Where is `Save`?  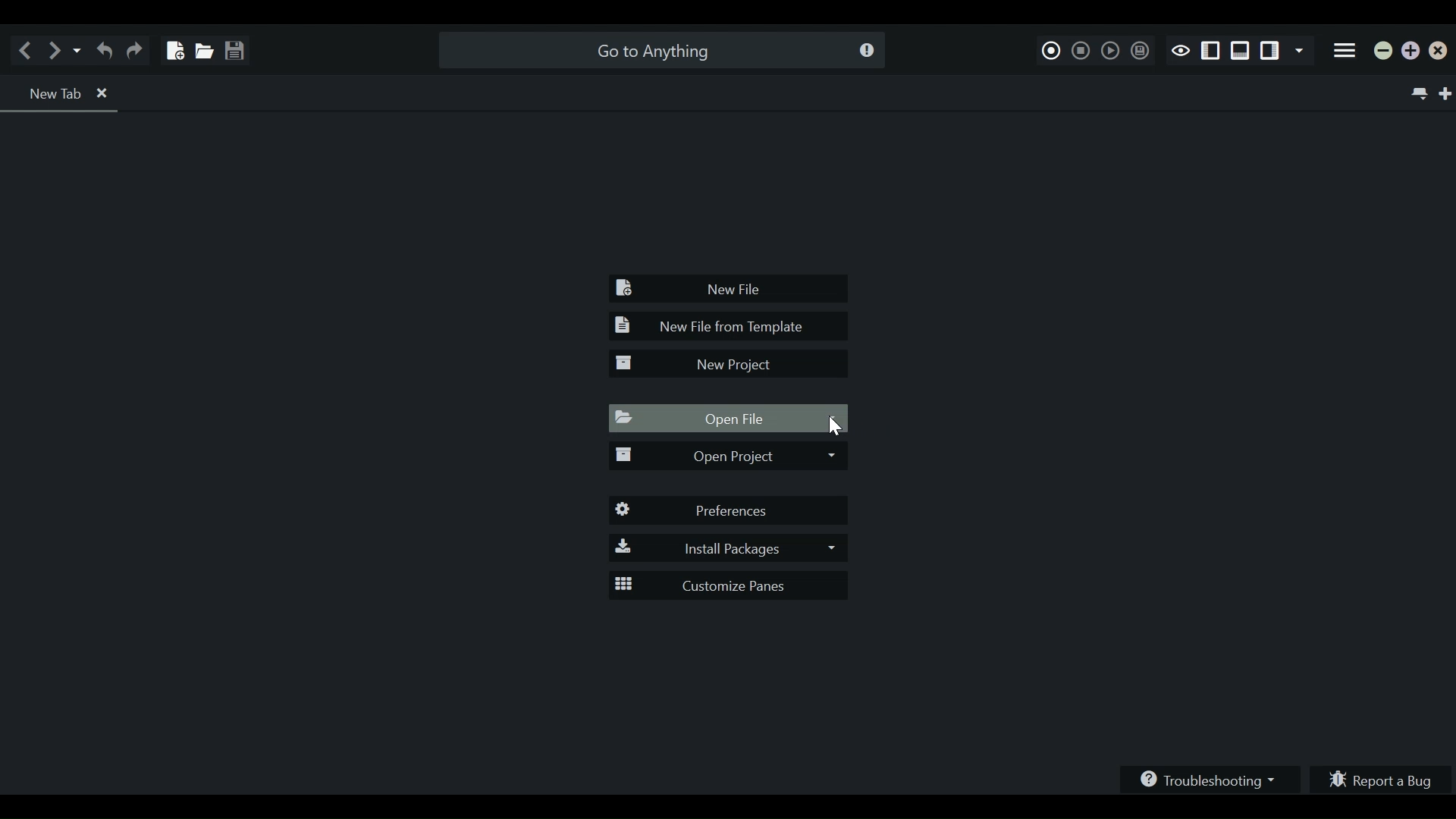 Save is located at coordinates (234, 46).